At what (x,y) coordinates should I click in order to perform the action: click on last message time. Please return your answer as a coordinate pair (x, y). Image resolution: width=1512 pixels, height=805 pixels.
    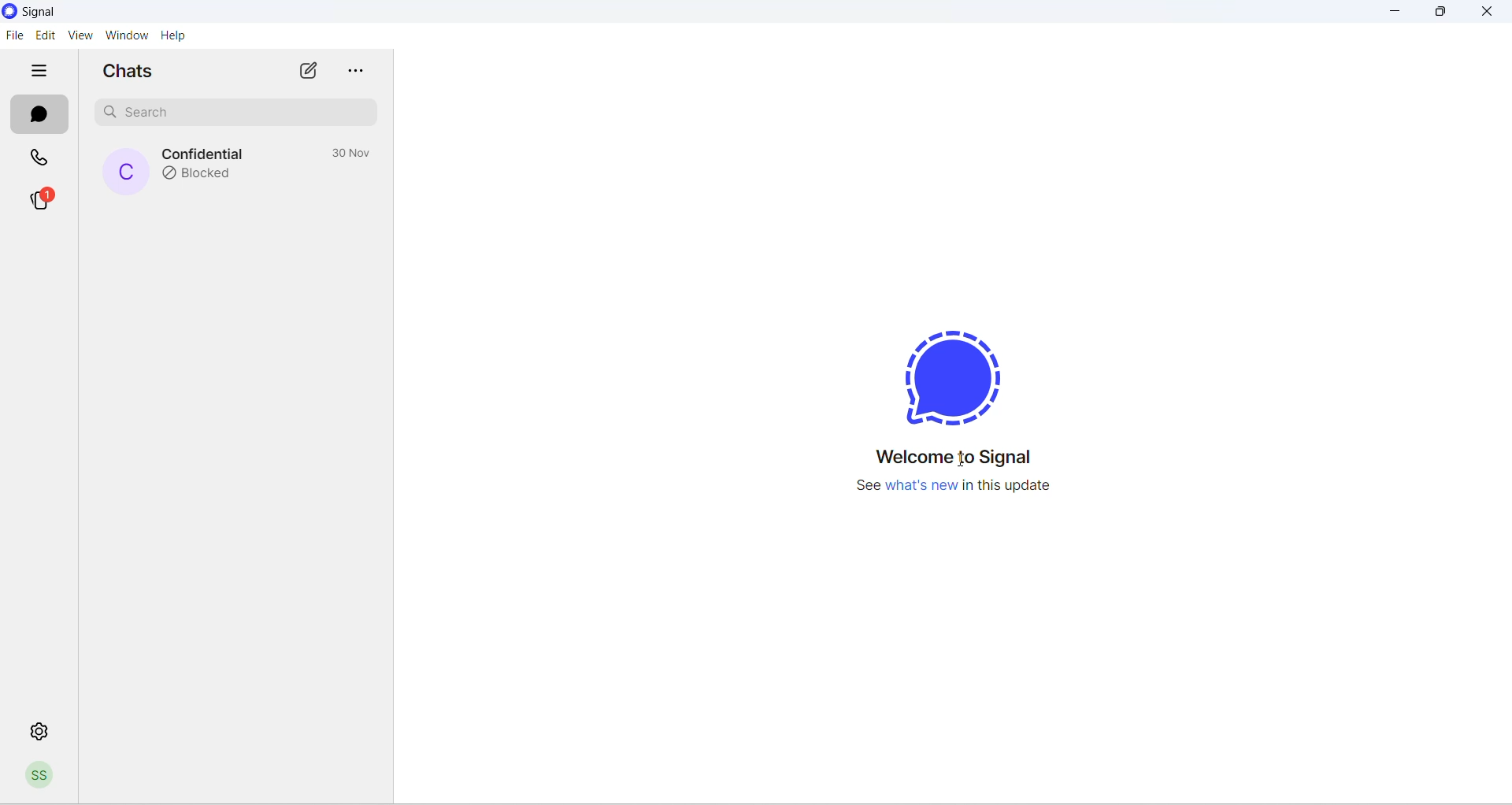
    Looking at the image, I should click on (347, 152).